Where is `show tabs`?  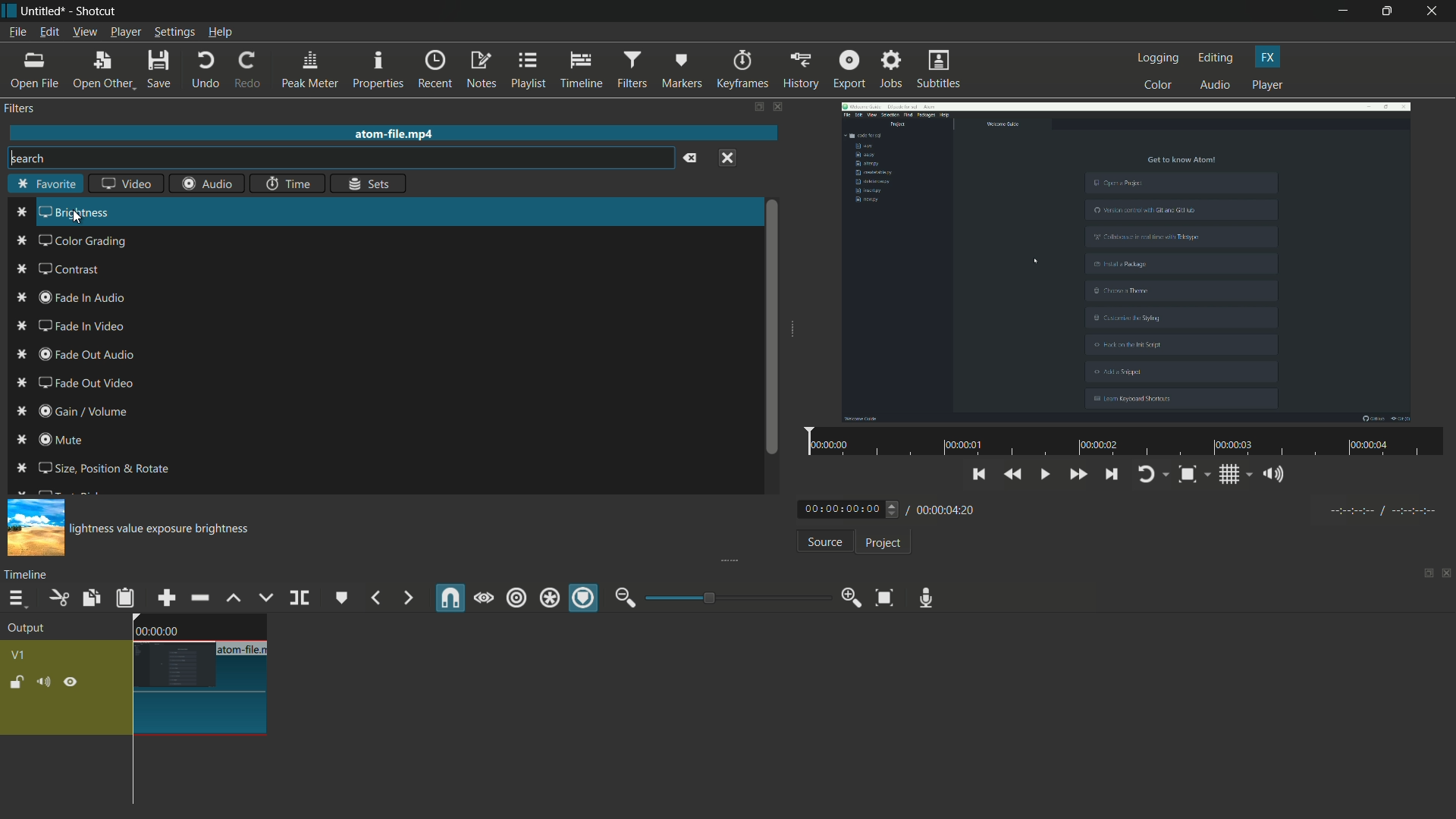 show tabs is located at coordinates (758, 108).